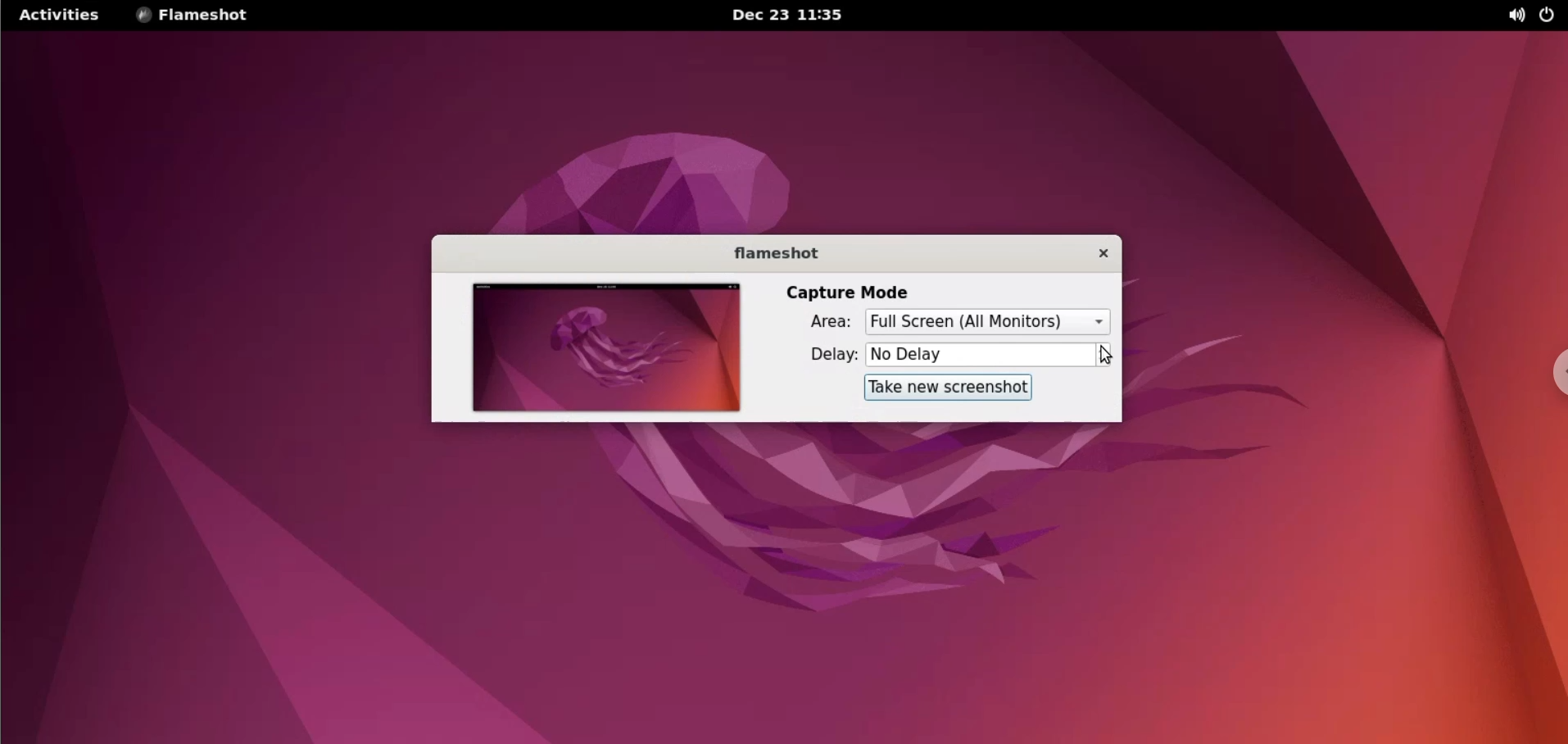 Image resolution: width=1568 pixels, height=744 pixels. What do you see at coordinates (59, 15) in the screenshot?
I see `activities` at bounding box center [59, 15].